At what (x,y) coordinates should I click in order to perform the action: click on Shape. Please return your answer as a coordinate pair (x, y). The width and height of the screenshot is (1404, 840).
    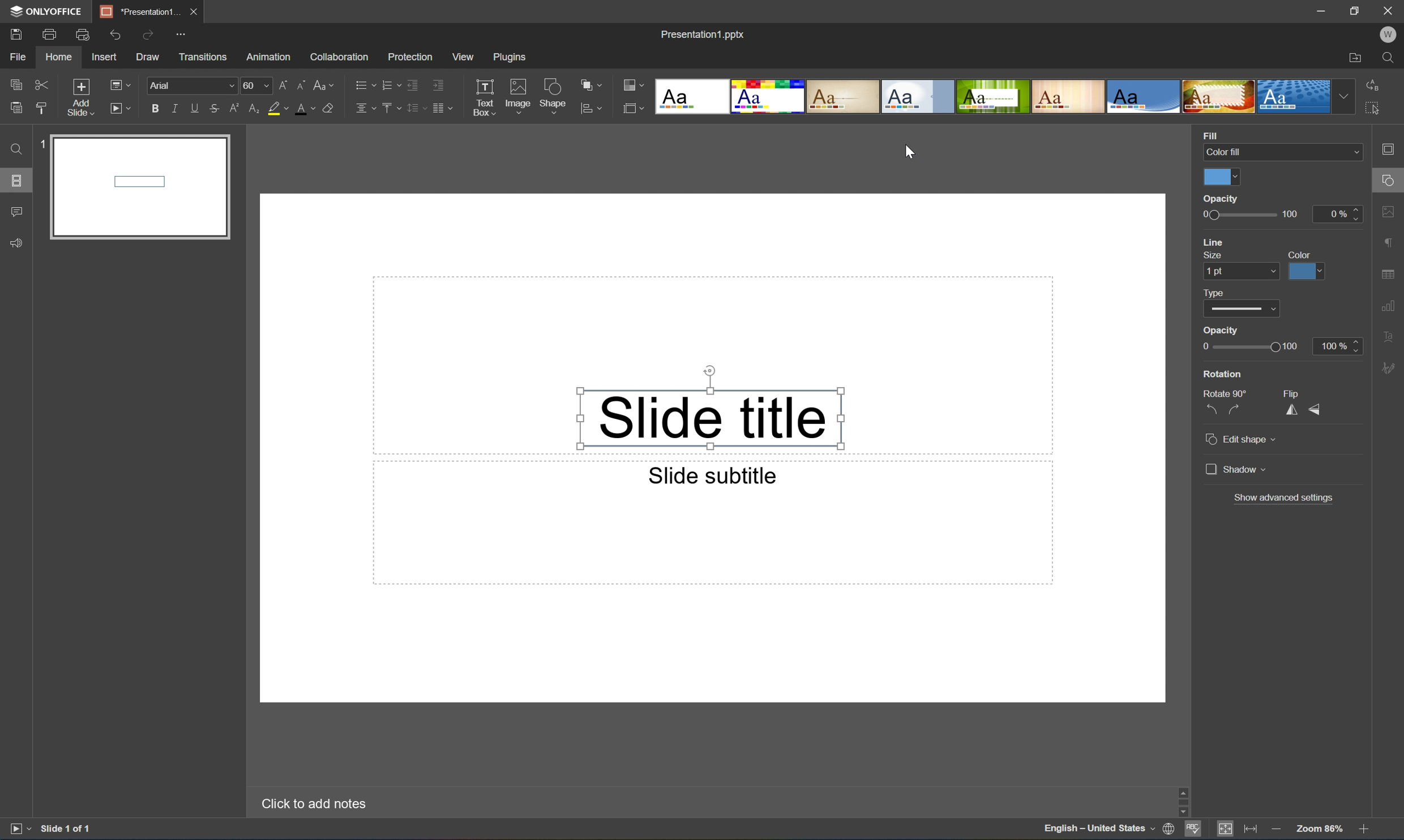
    Looking at the image, I should click on (551, 97).